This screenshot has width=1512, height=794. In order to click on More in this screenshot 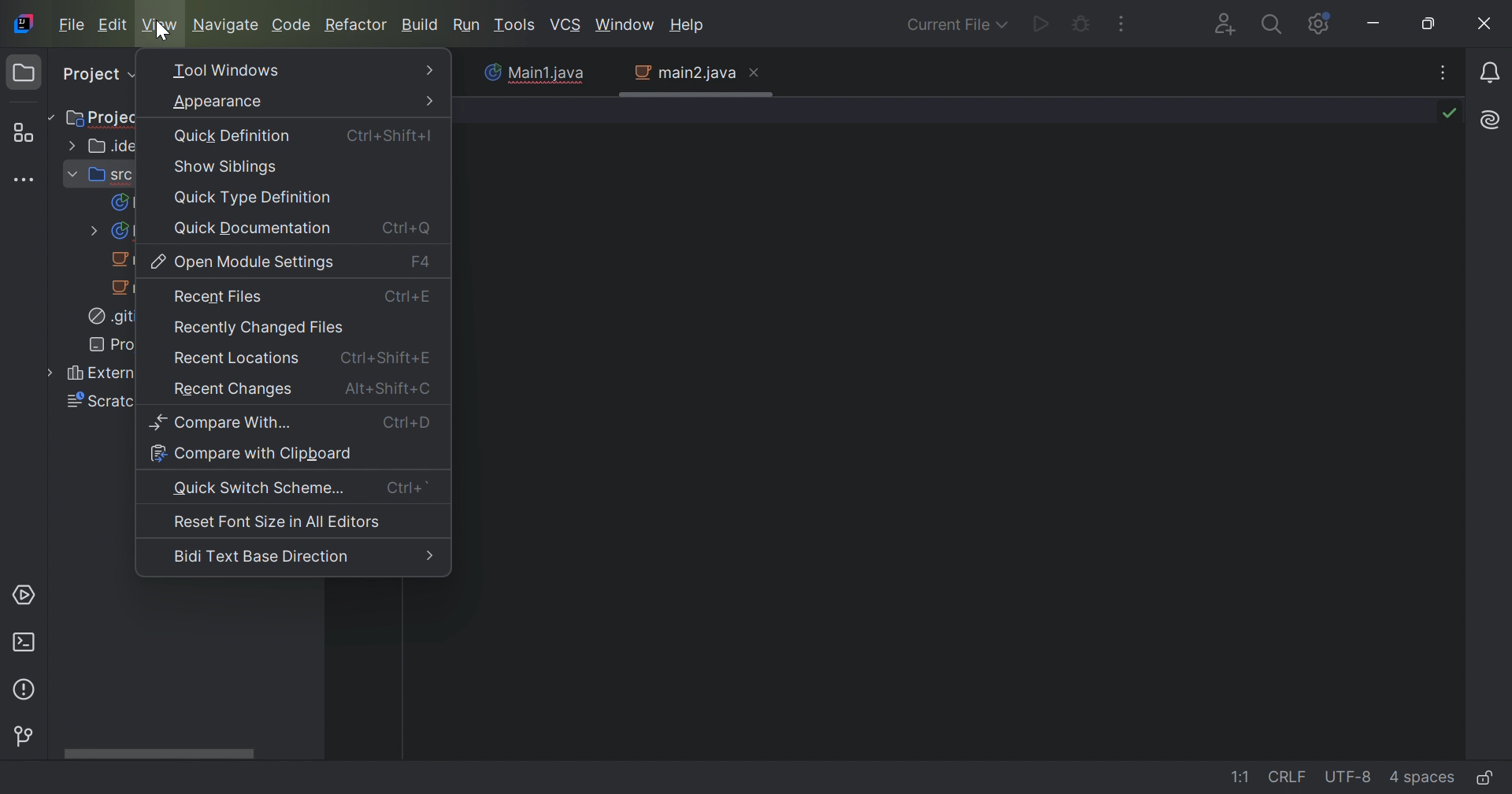, I will do `click(429, 557)`.